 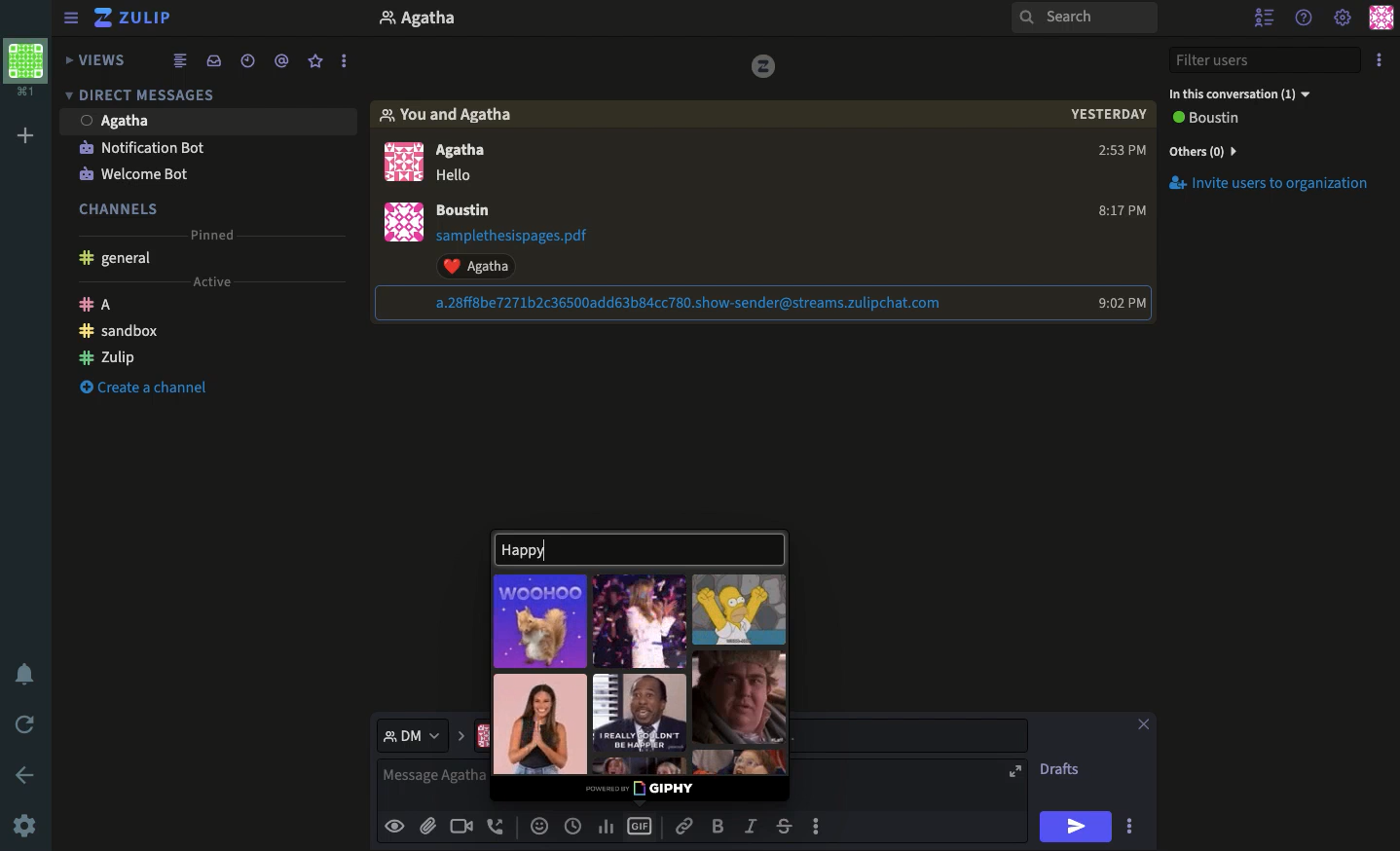 What do you see at coordinates (400, 224) in the screenshot?
I see `Profile` at bounding box center [400, 224].